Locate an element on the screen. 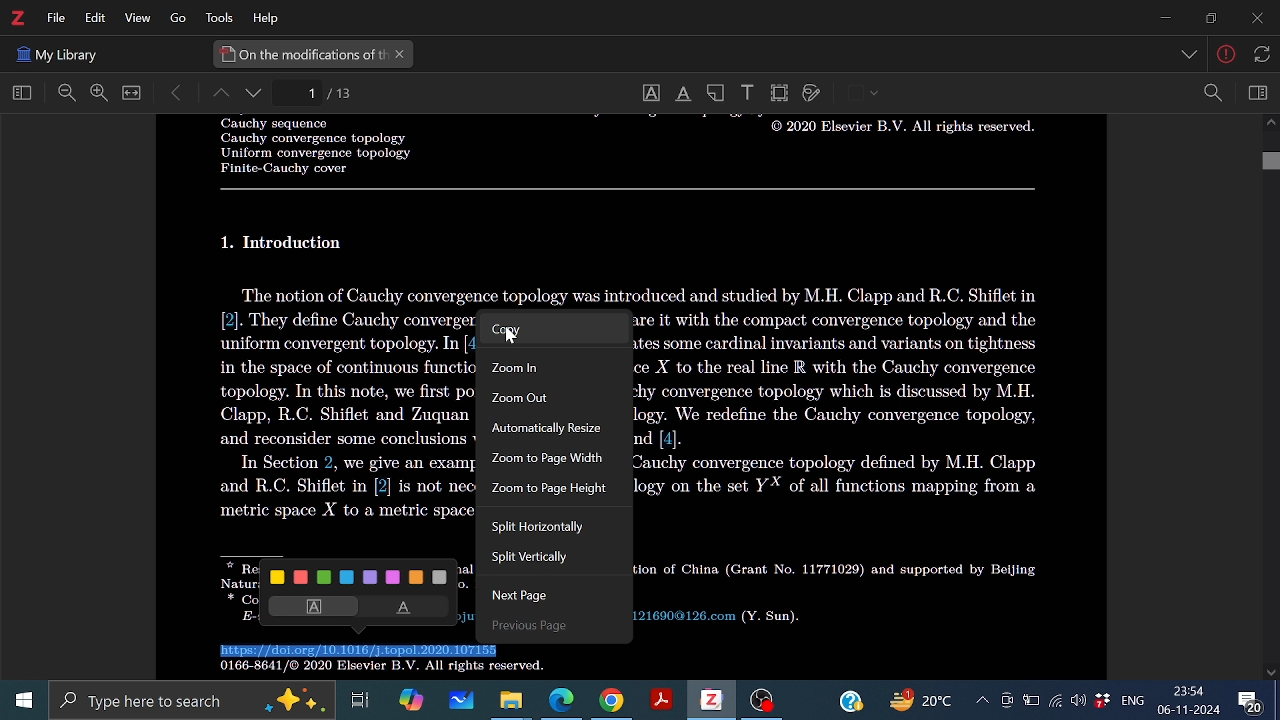  Zoom to page width is located at coordinates (547, 461).